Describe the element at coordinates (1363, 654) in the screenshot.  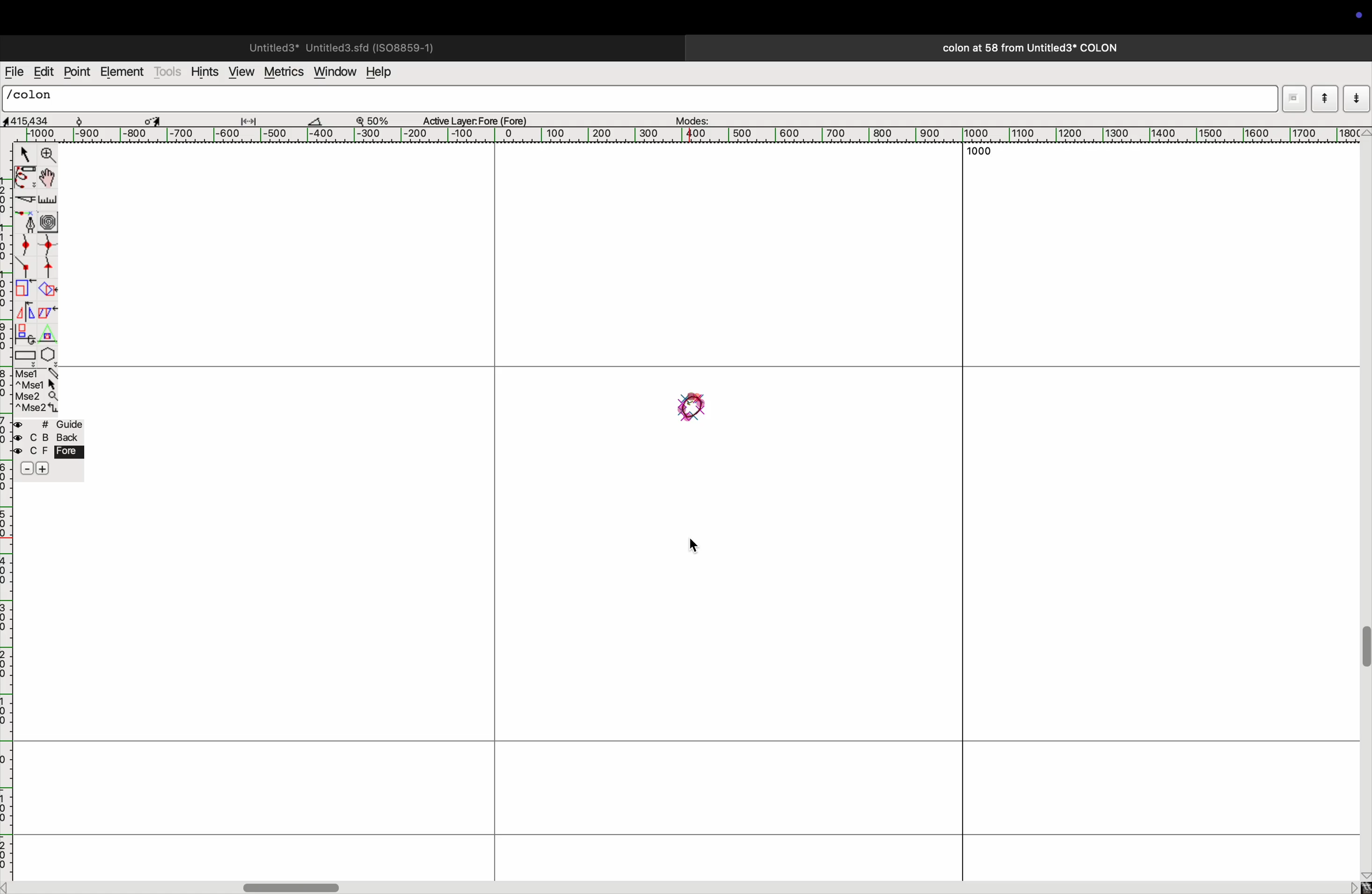
I see `toogle` at that location.